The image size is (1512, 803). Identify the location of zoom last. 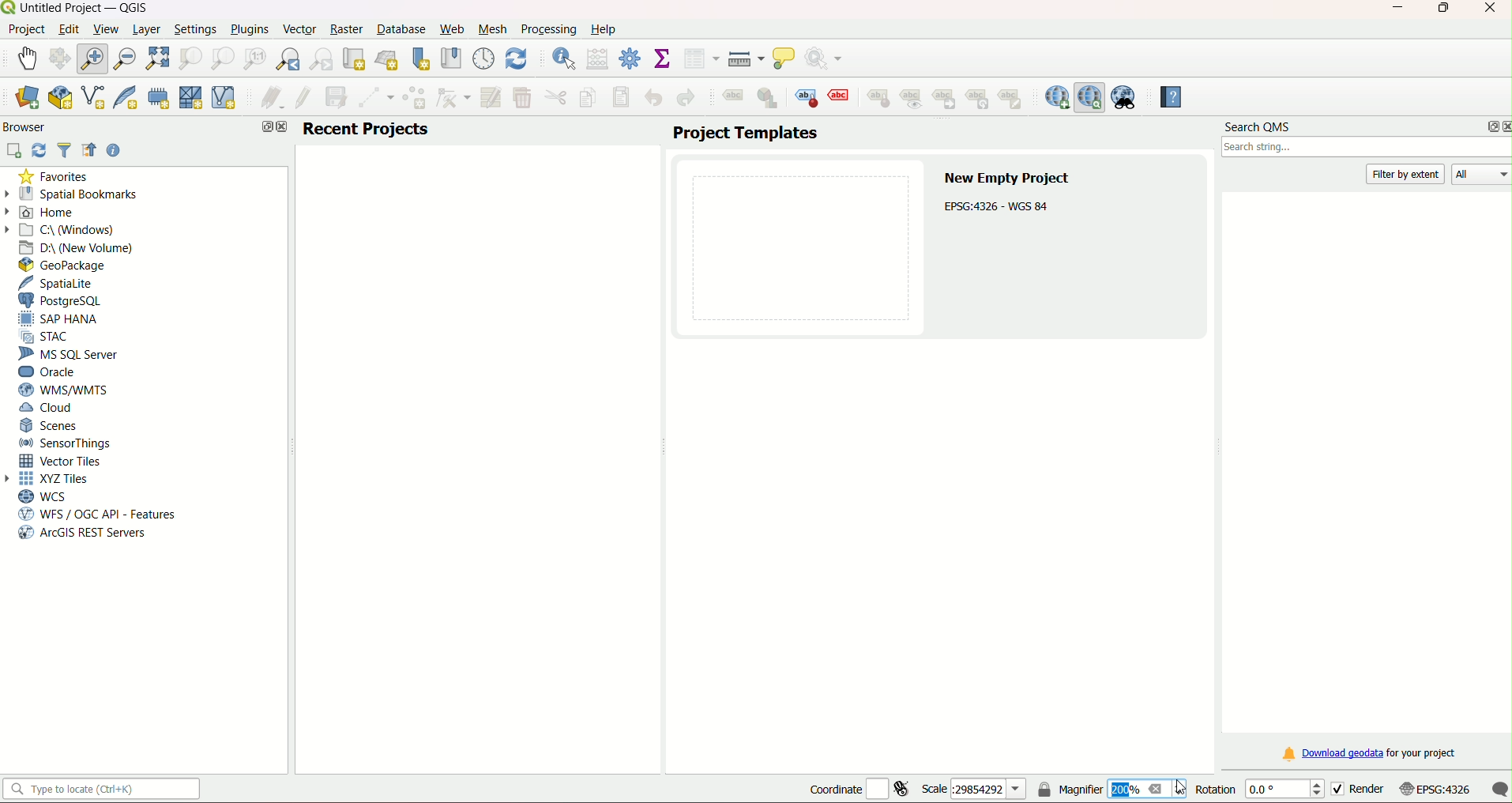
(291, 59).